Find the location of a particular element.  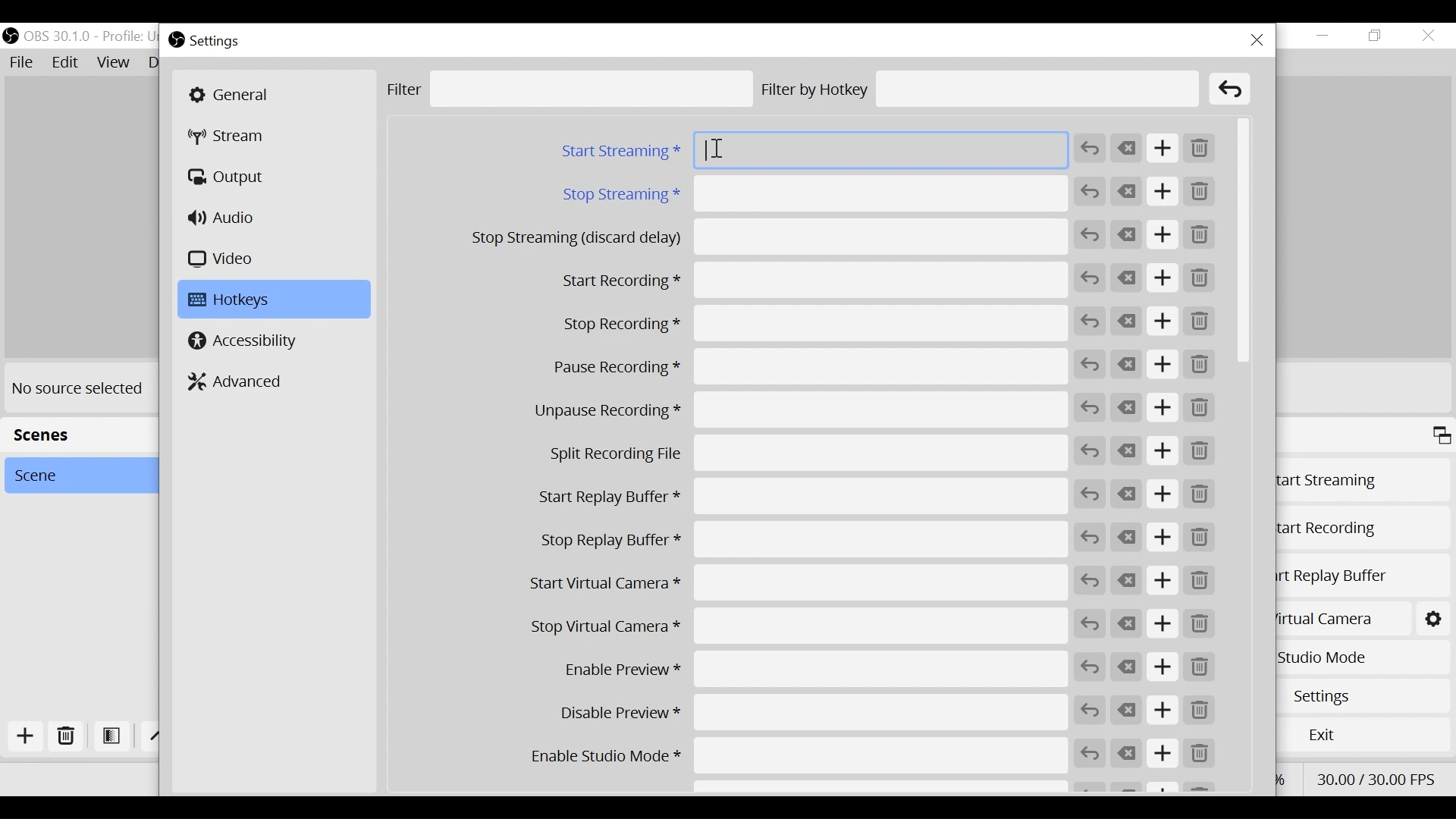

Add is located at coordinates (1164, 581).